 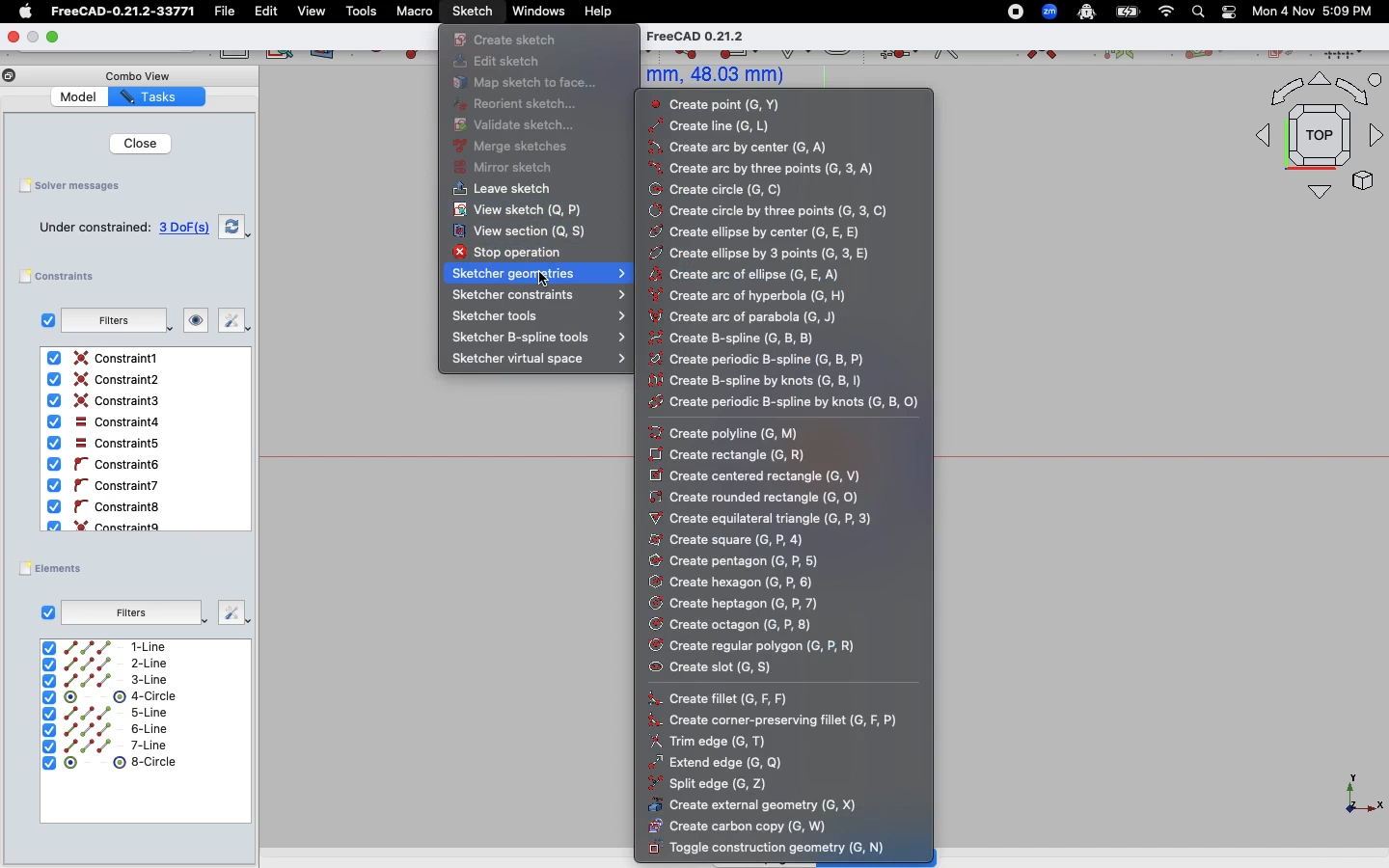 What do you see at coordinates (108, 380) in the screenshot?
I see `Constraint2` at bounding box center [108, 380].